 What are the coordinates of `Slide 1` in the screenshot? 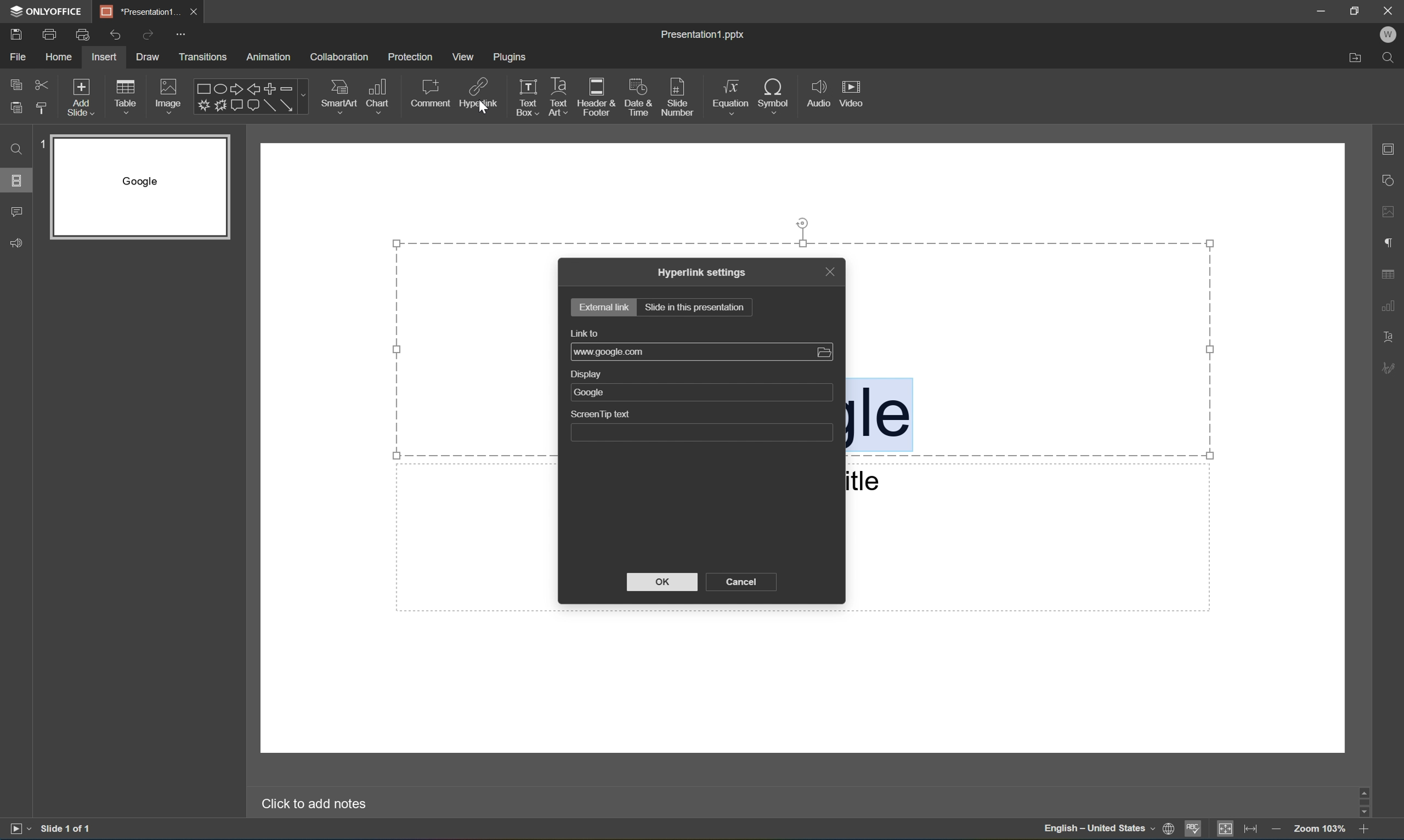 It's located at (132, 187).